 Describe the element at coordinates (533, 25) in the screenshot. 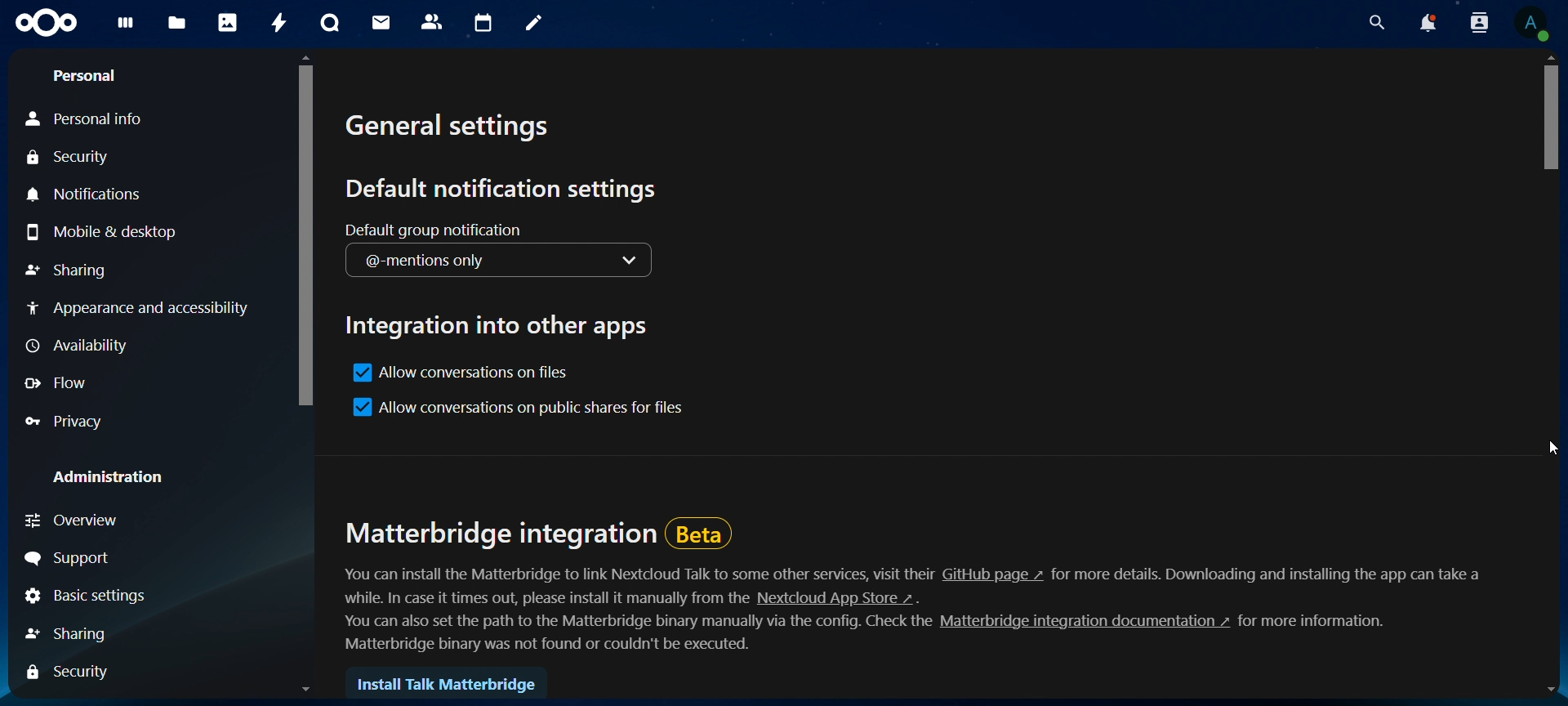

I see `notes` at that location.